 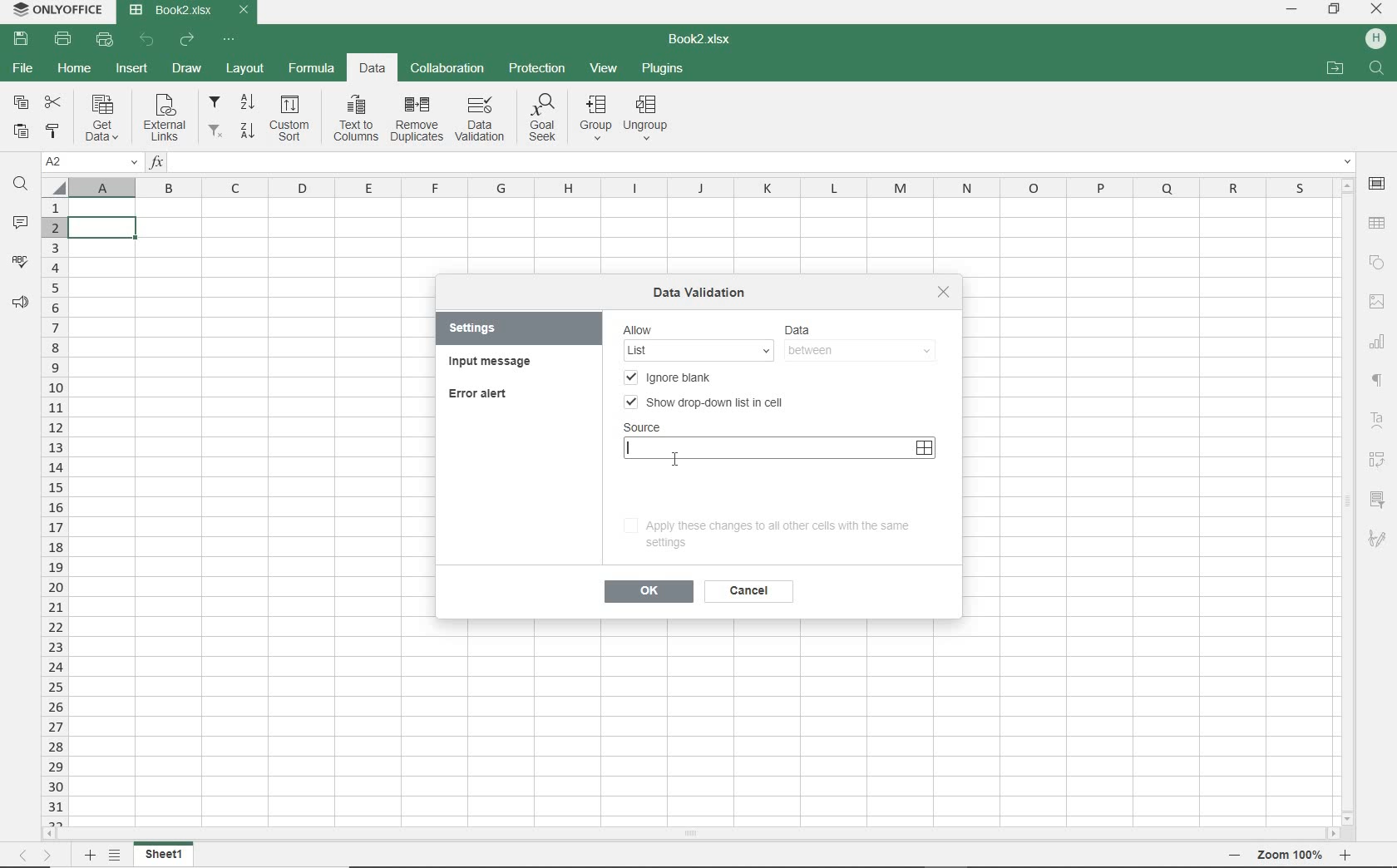 I want to click on CHART, so click(x=1378, y=345).